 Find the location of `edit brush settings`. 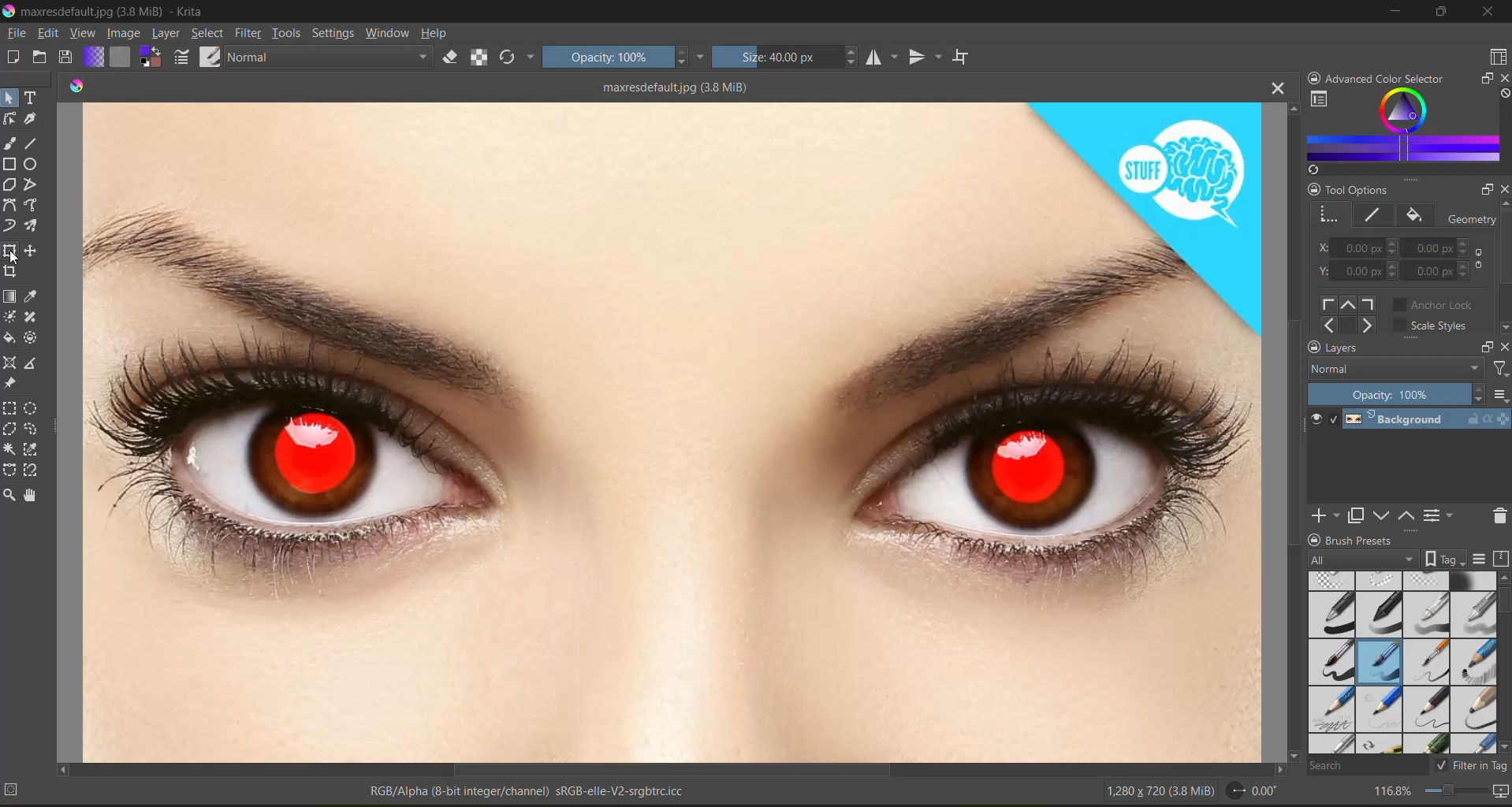

edit brush settings is located at coordinates (185, 59).